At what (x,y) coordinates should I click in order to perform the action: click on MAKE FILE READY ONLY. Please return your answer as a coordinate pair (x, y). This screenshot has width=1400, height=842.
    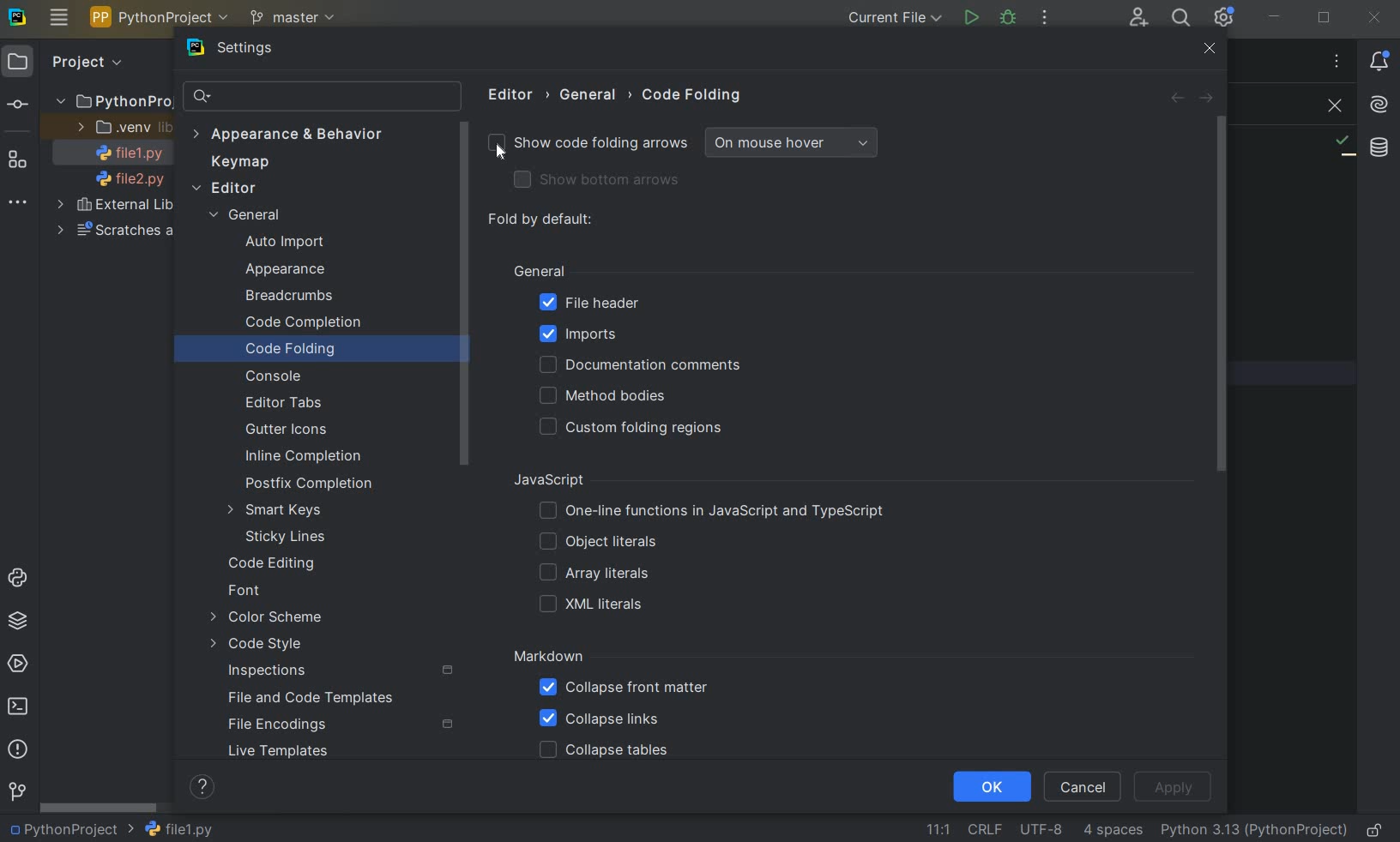
    Looking at the image, I should click on (1378, 830).